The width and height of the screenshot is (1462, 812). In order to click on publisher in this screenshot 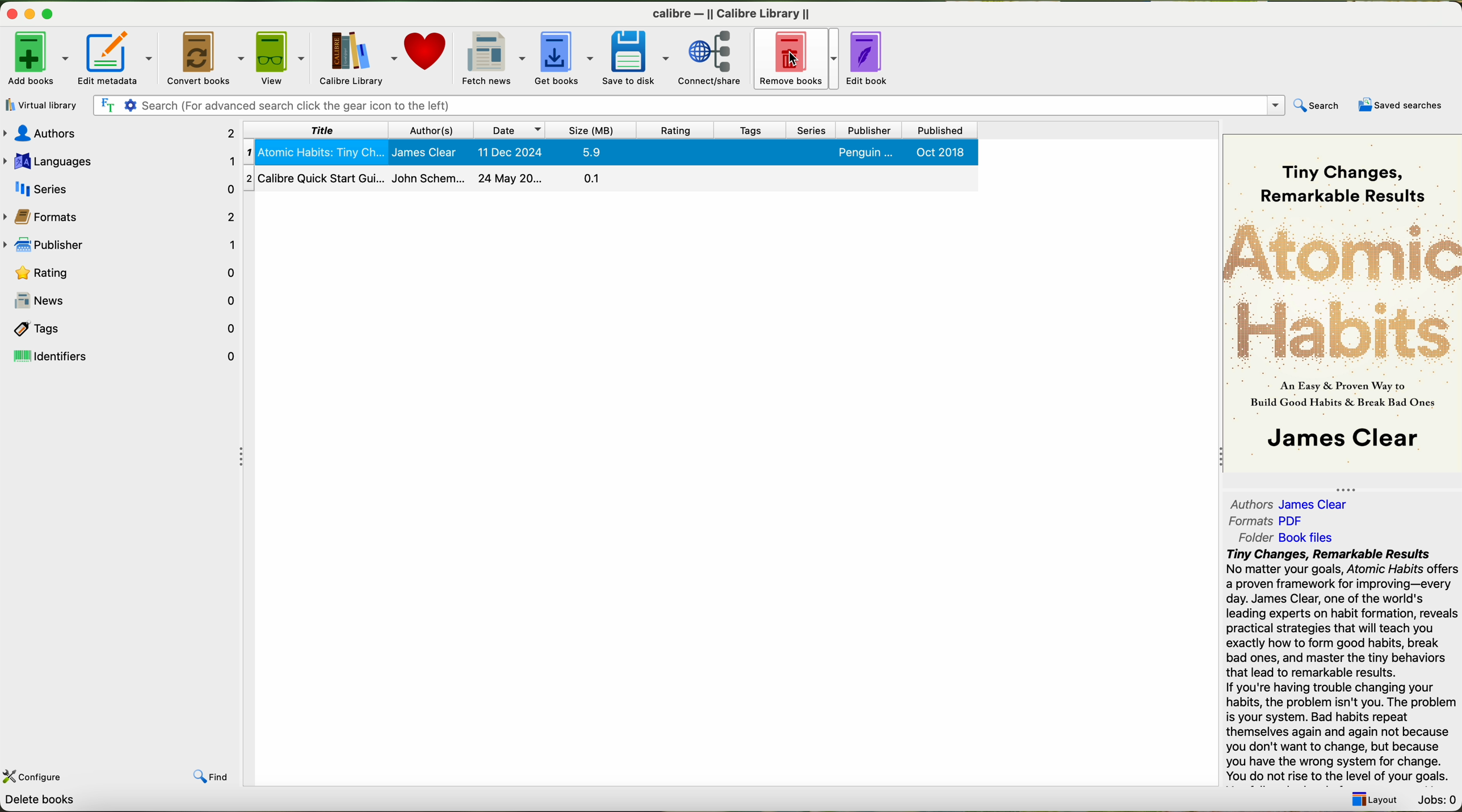, I will do `click(870, 130)`.